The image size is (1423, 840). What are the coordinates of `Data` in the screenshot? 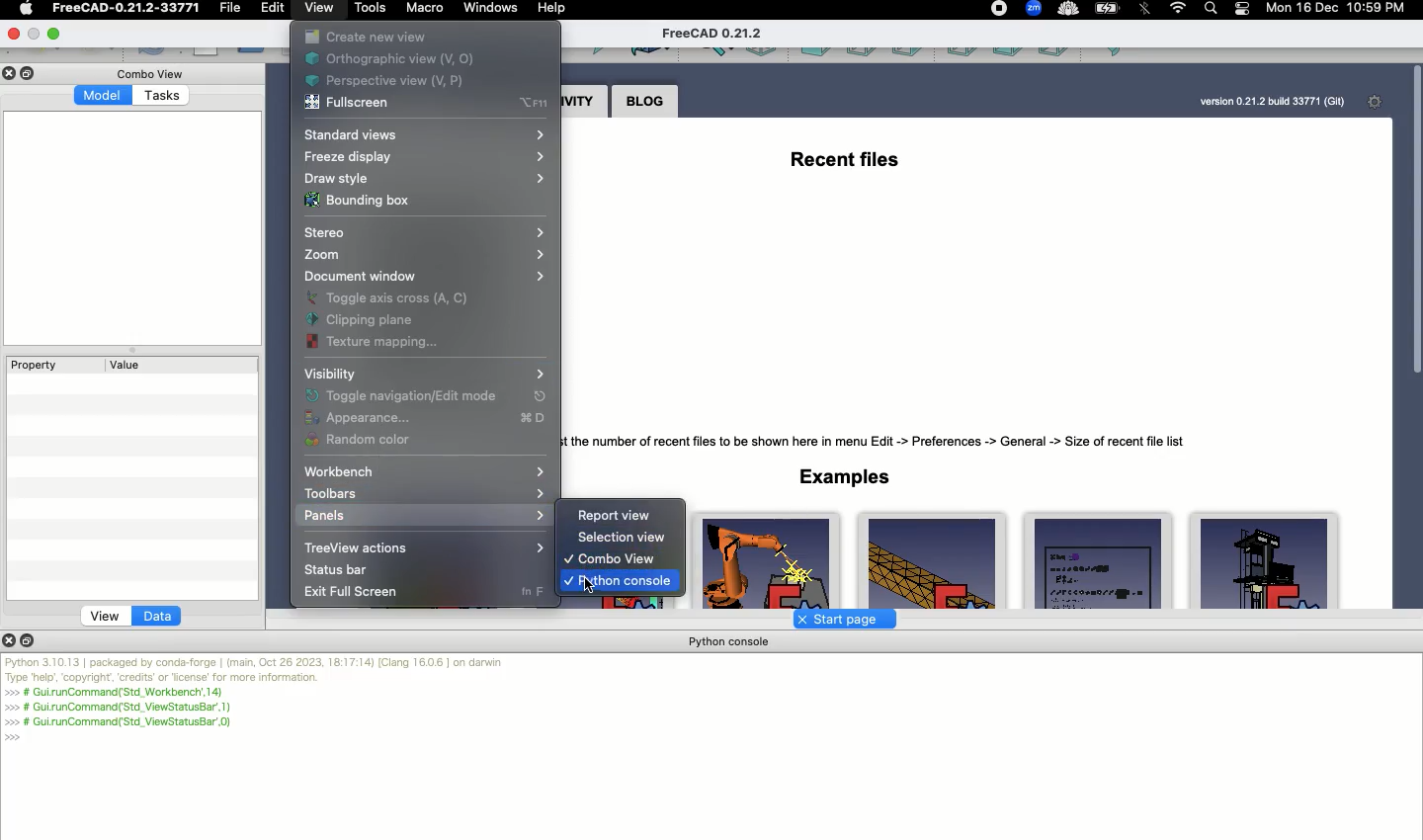 It's located at (158, 617).